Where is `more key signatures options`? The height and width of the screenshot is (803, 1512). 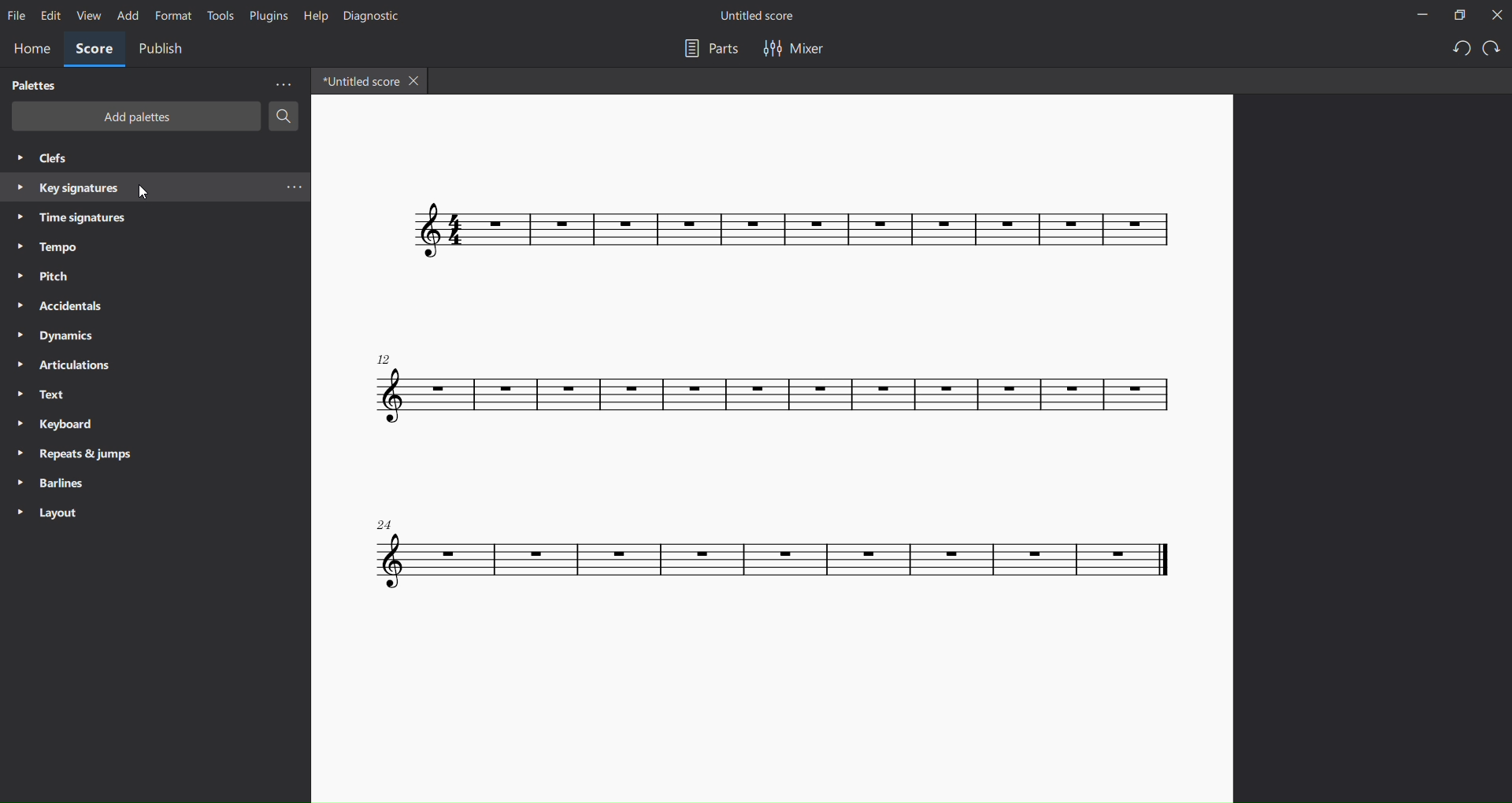 more key signatures options is located at coordinates (296, 191).